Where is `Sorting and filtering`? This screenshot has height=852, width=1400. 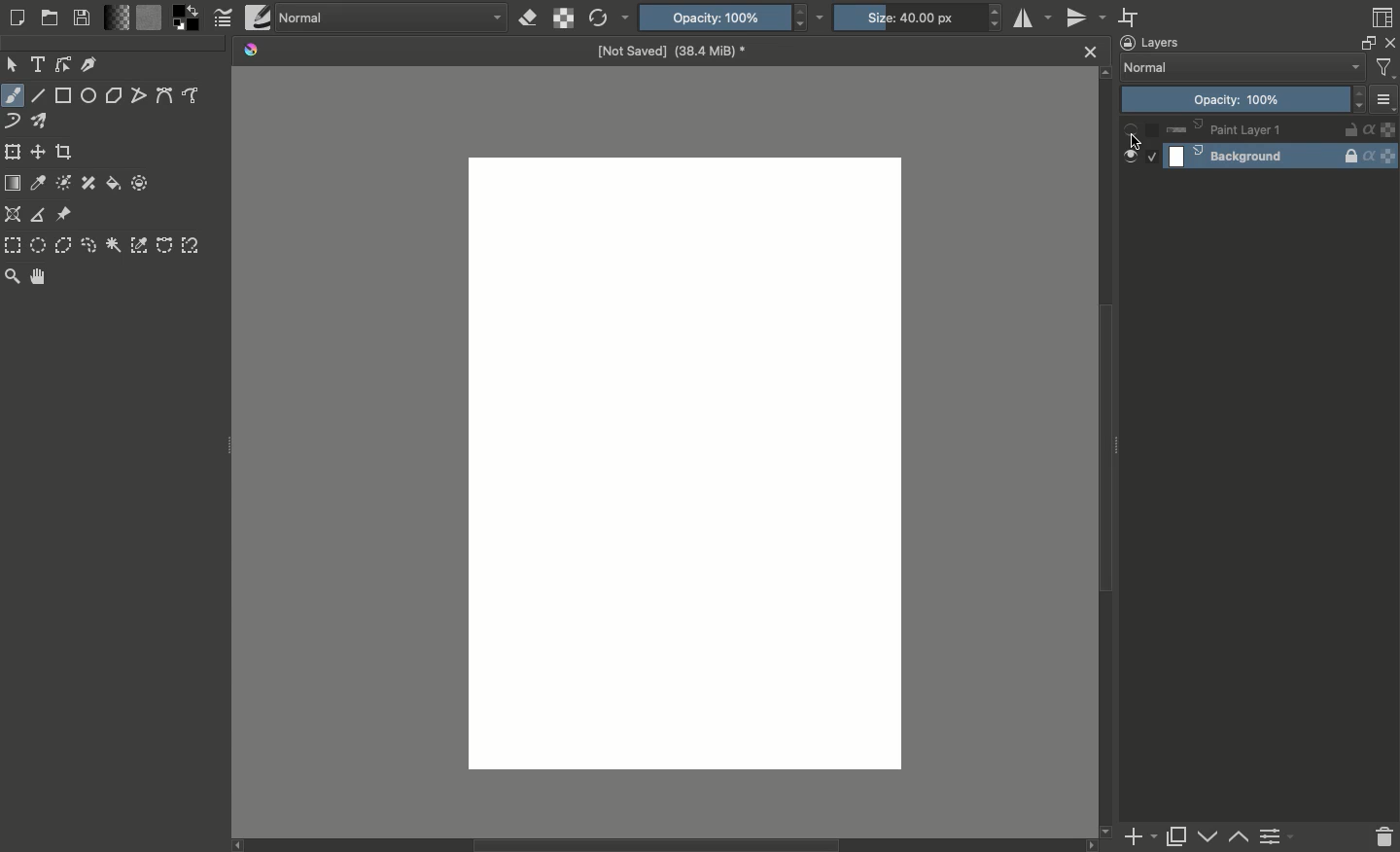 Sorting and filtering is located at coordinates (1386, 68).